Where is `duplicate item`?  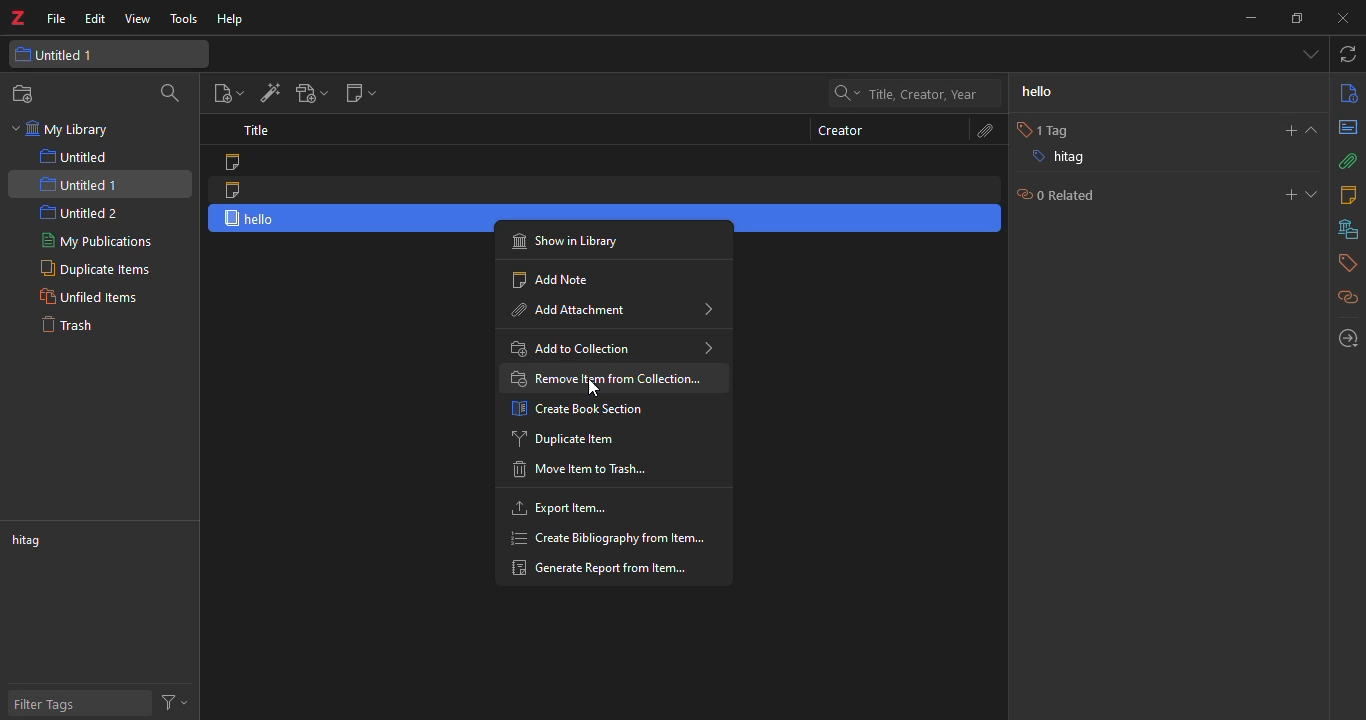
duplicate item is located at coordinates (562, 437).